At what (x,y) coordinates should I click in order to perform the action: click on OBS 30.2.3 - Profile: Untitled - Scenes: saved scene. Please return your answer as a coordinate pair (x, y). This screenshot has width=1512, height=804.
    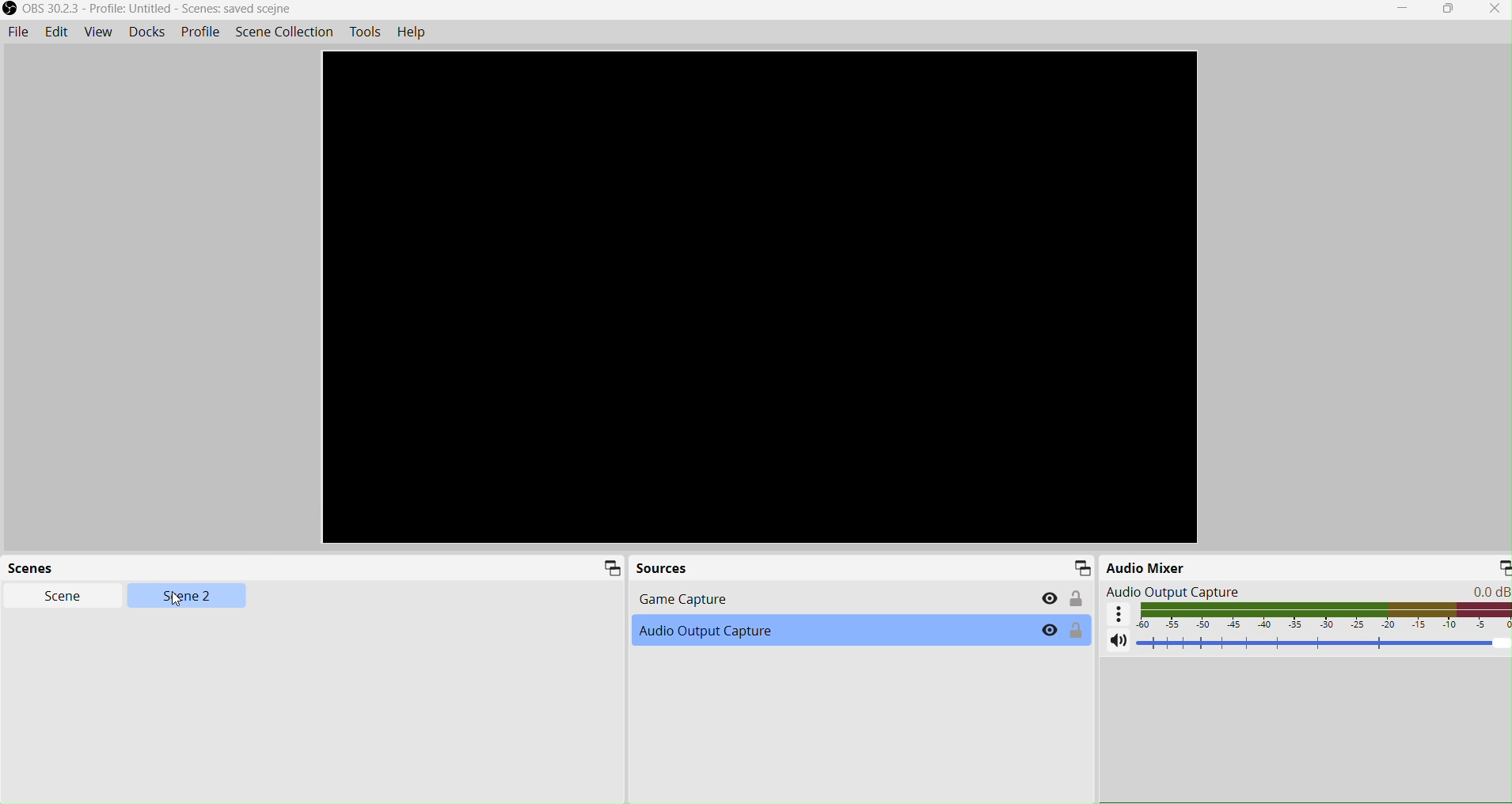
    Looking at the image, I should click on (150, 7).